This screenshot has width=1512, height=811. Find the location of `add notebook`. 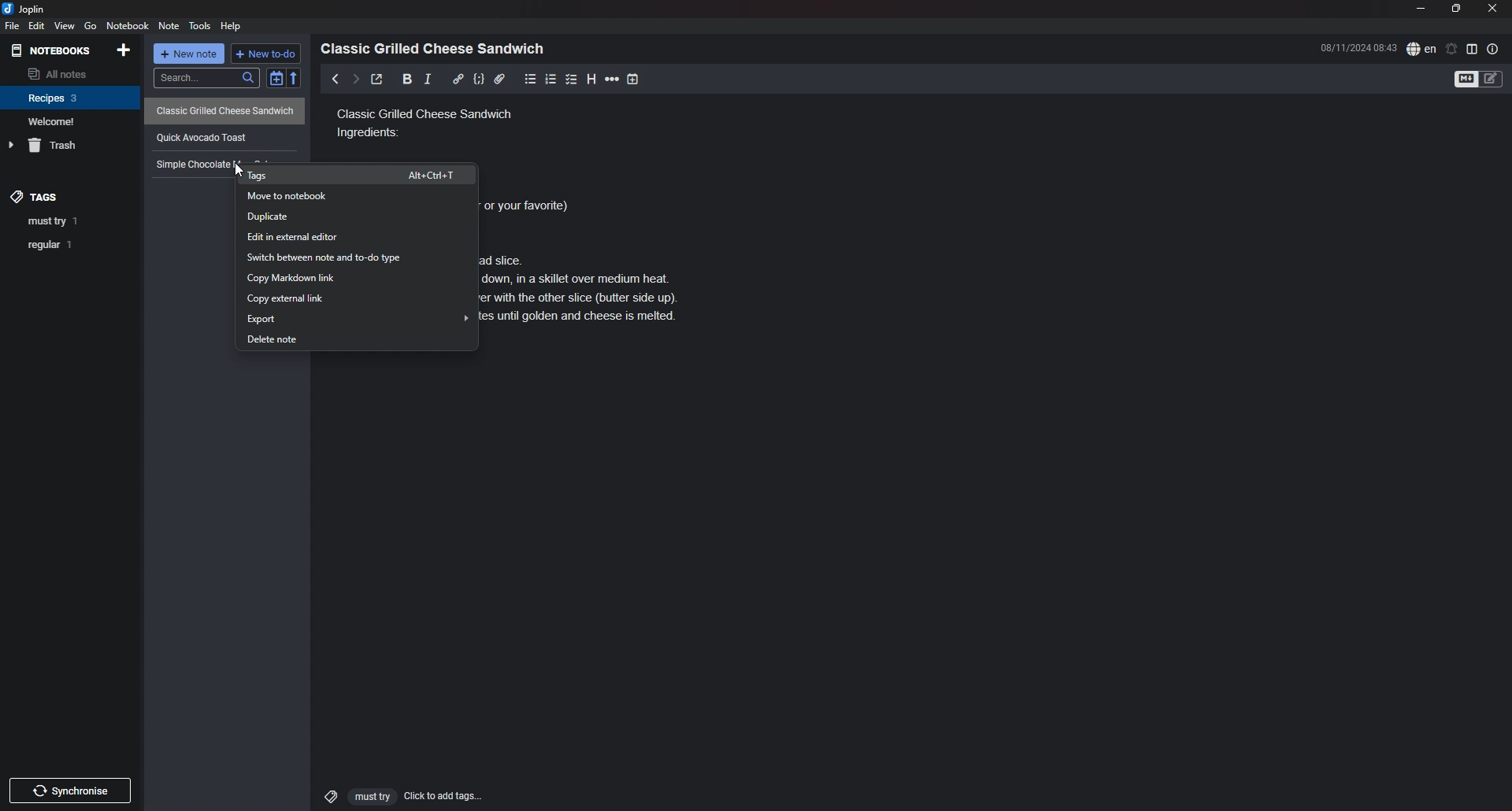

add notebook is located at coordinates (125, 49).